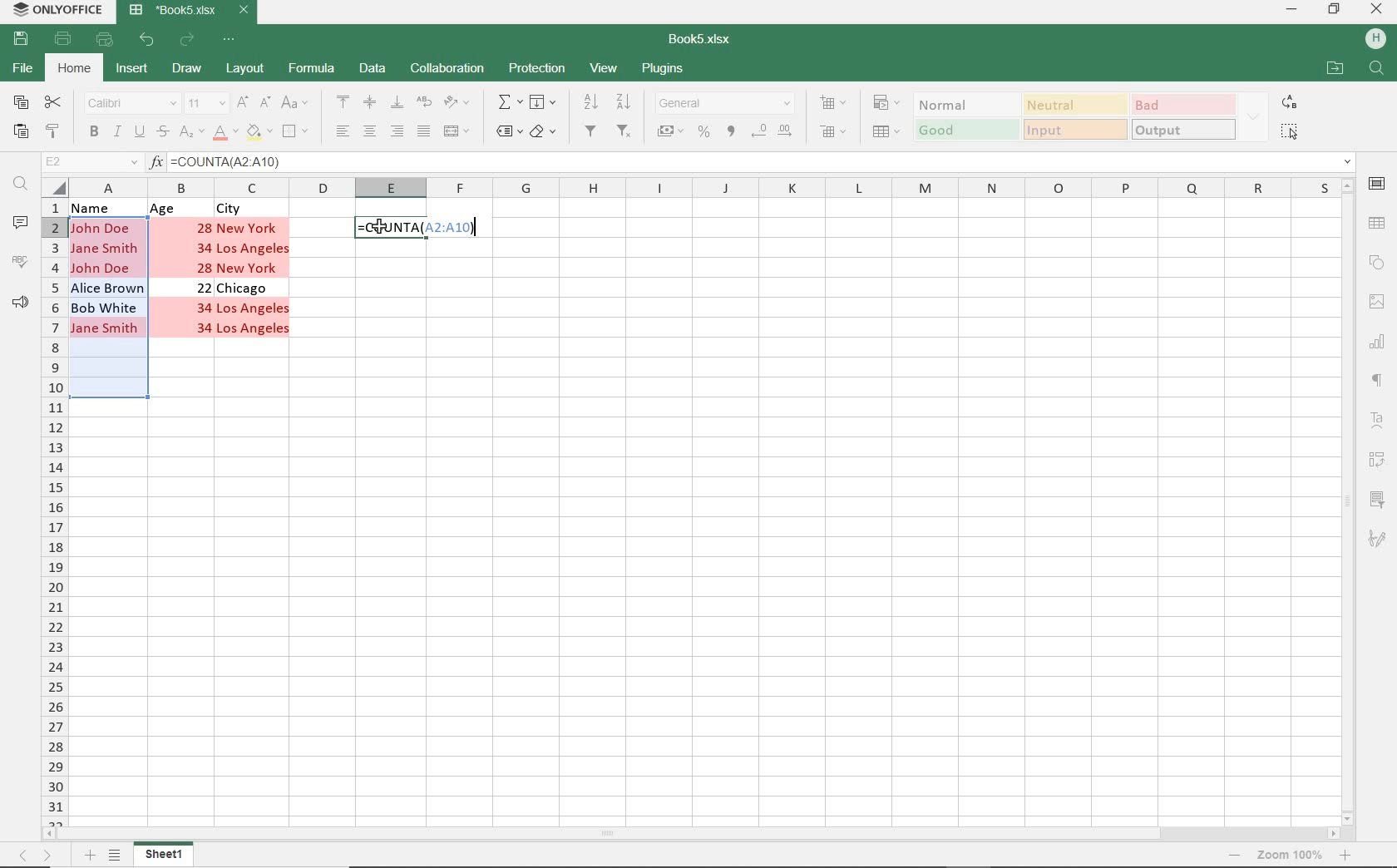 Image resolution: width=1397 pixels, height=868 pixels. Describe the element at coordinates (20, 39) in the screenshot. I see `SAVE` at that location.